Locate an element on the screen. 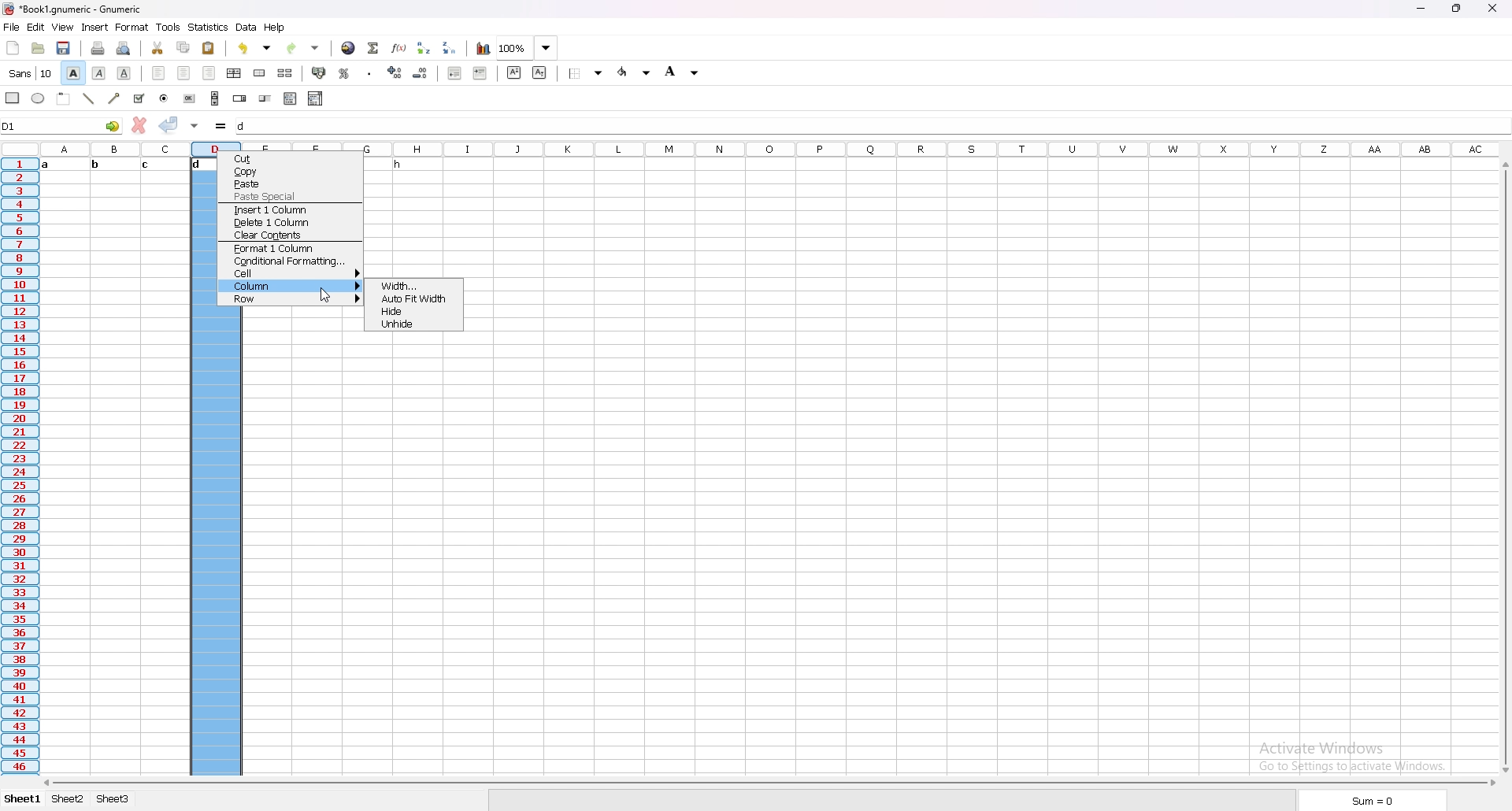  text is located at coordinates (392, 165).